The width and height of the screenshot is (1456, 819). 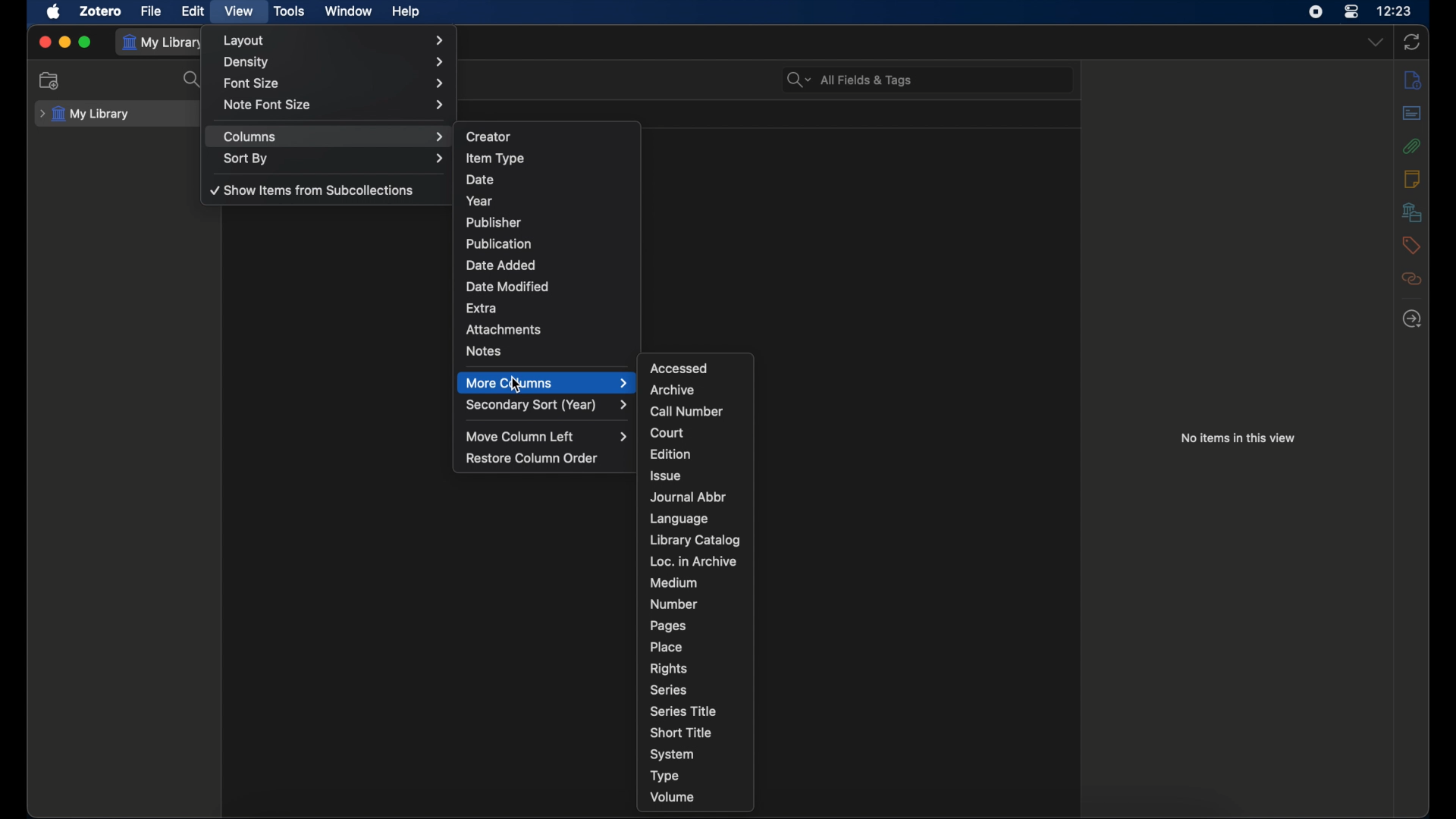 What do you see at coordinates (548, 383) in the screenshot?
I see `more columns` at bounding box center [548, 383].